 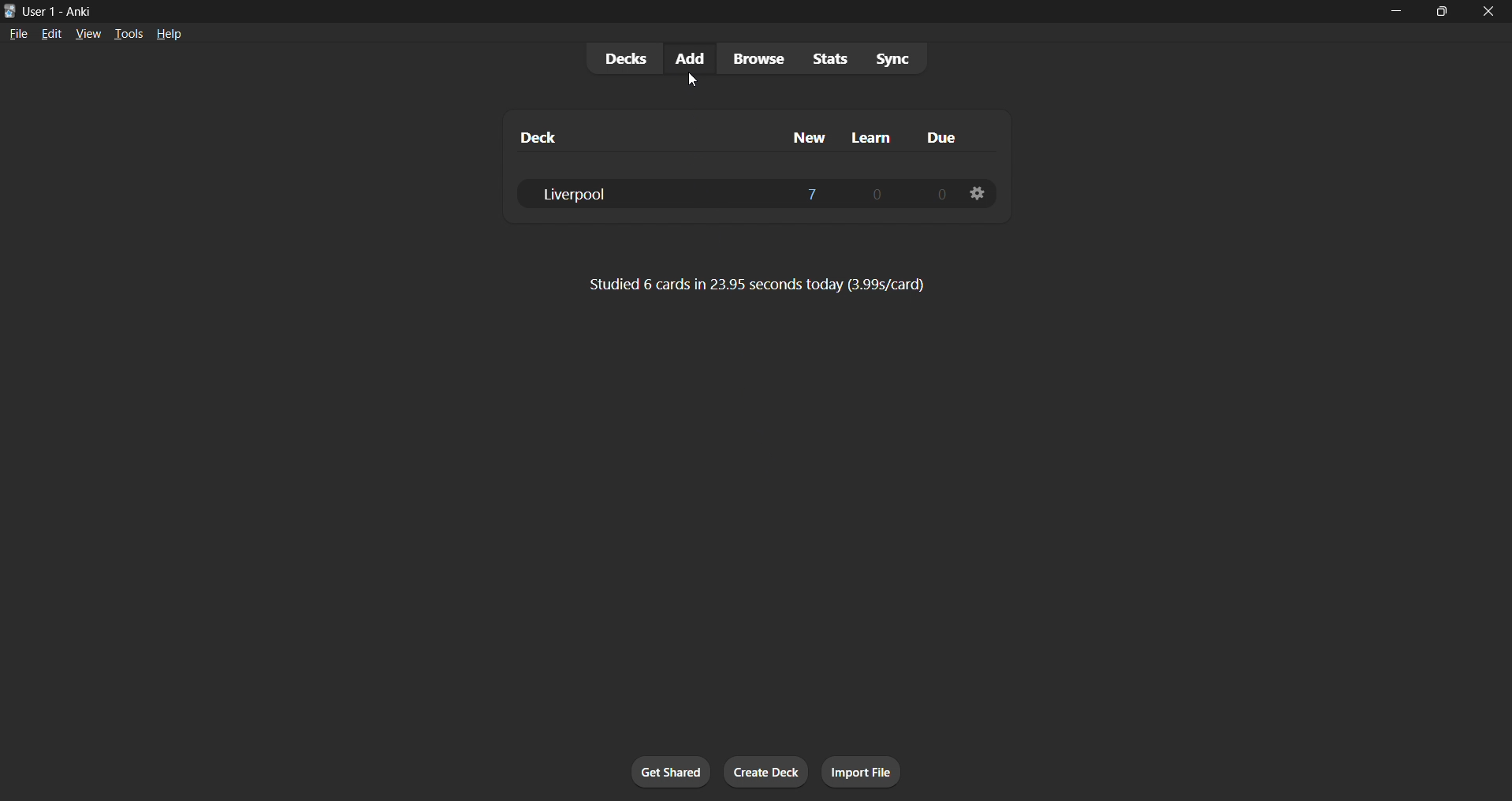 I want to click on add, so click(x=687, y=58).